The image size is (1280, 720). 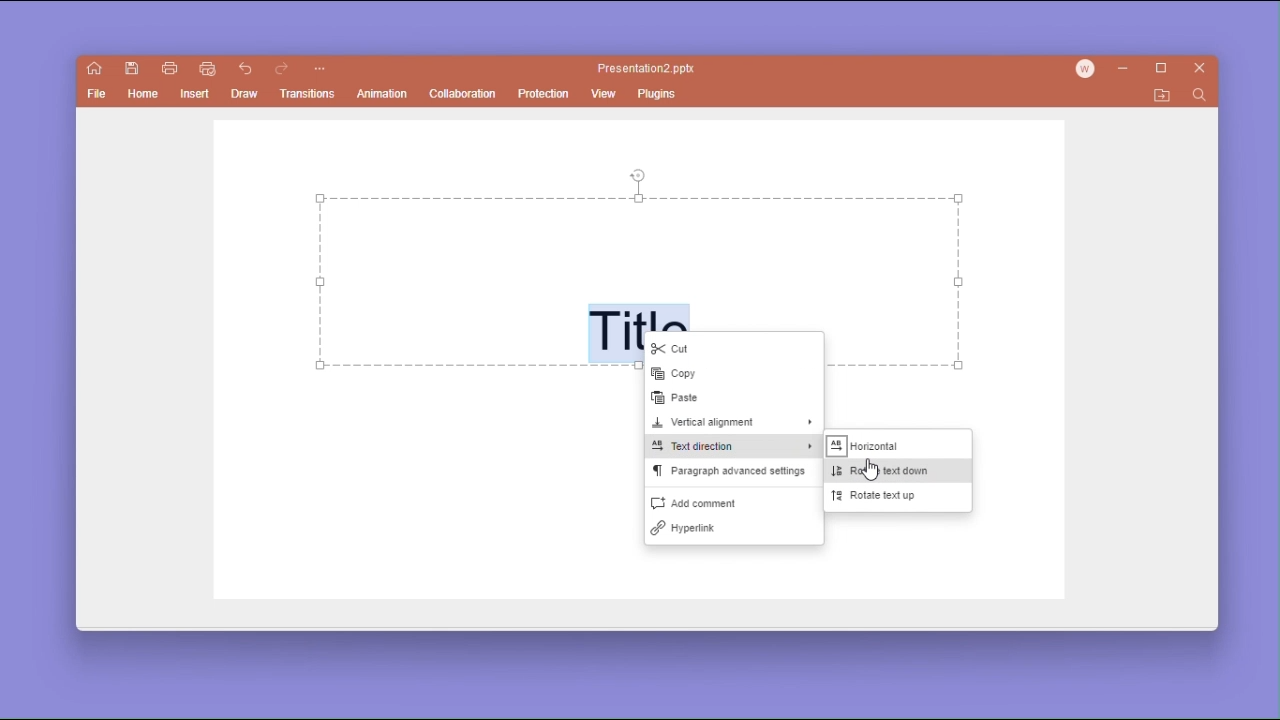 I want to click on protection, so click(x=544, y=93).